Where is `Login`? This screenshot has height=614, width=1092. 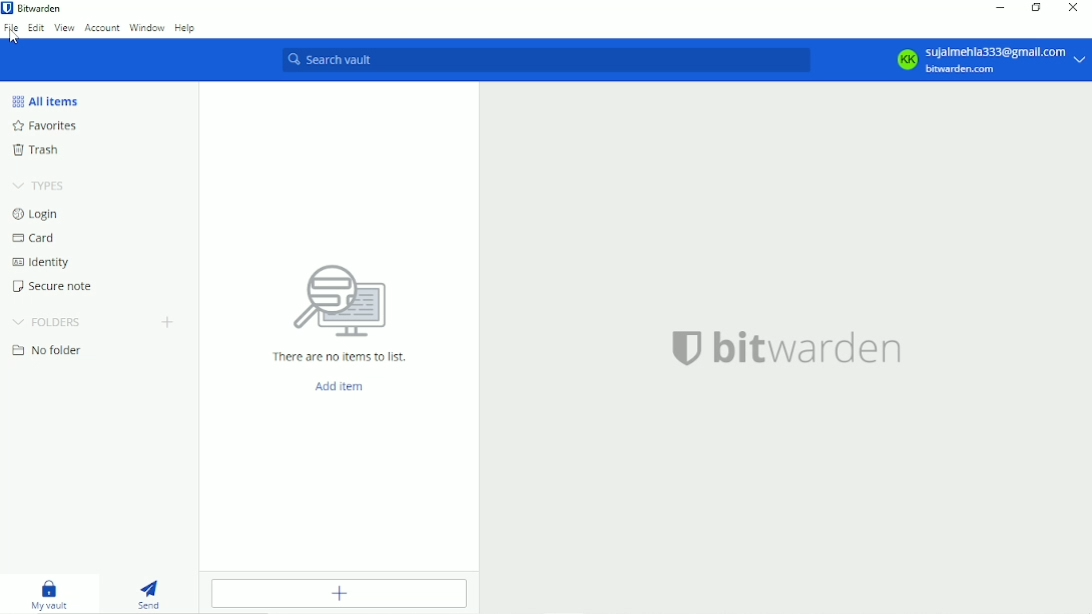
Login is located at coordinates (36, 214).